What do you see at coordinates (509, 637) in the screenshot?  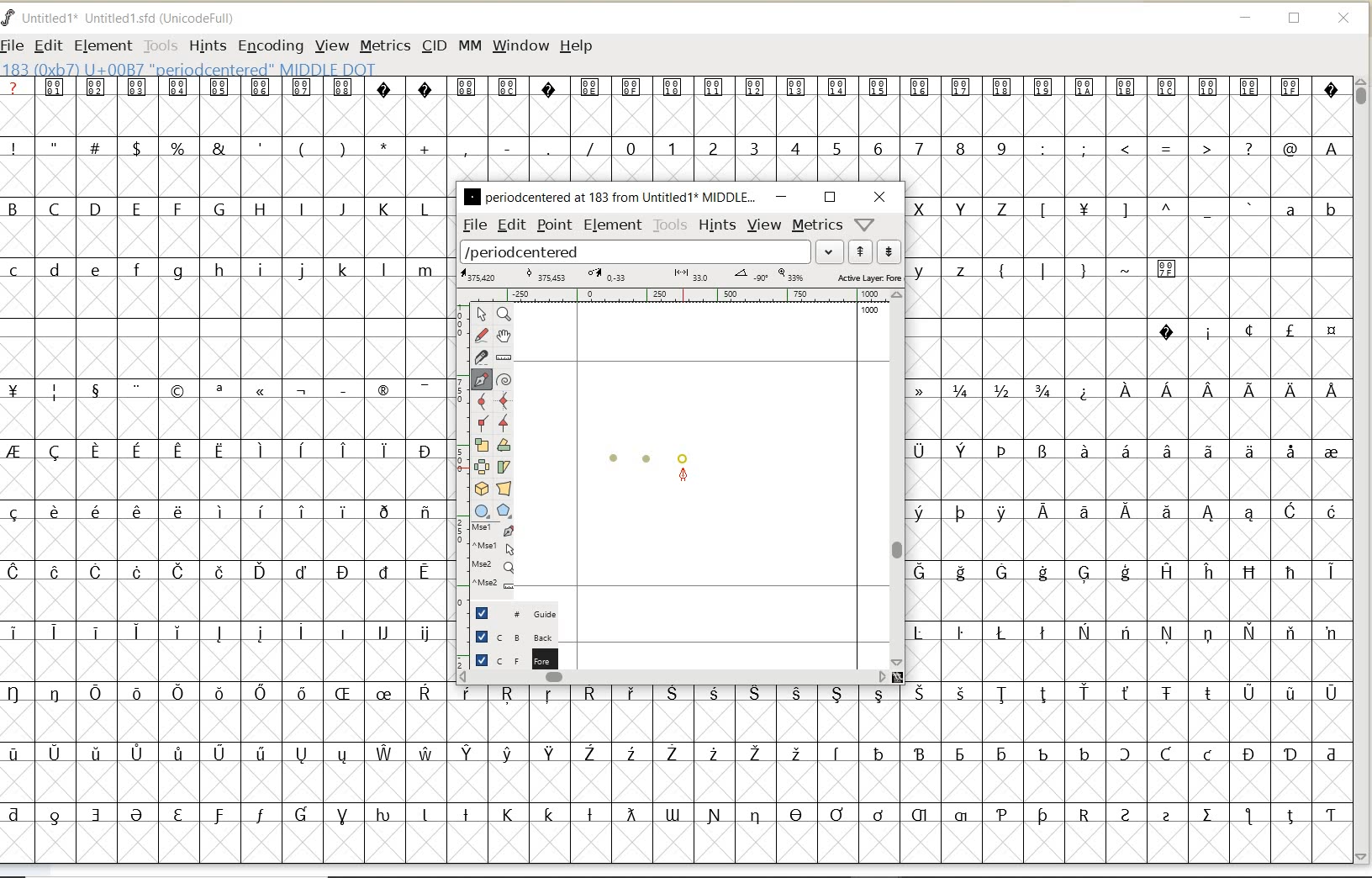 I see `background` at bounding box center [509, 637].